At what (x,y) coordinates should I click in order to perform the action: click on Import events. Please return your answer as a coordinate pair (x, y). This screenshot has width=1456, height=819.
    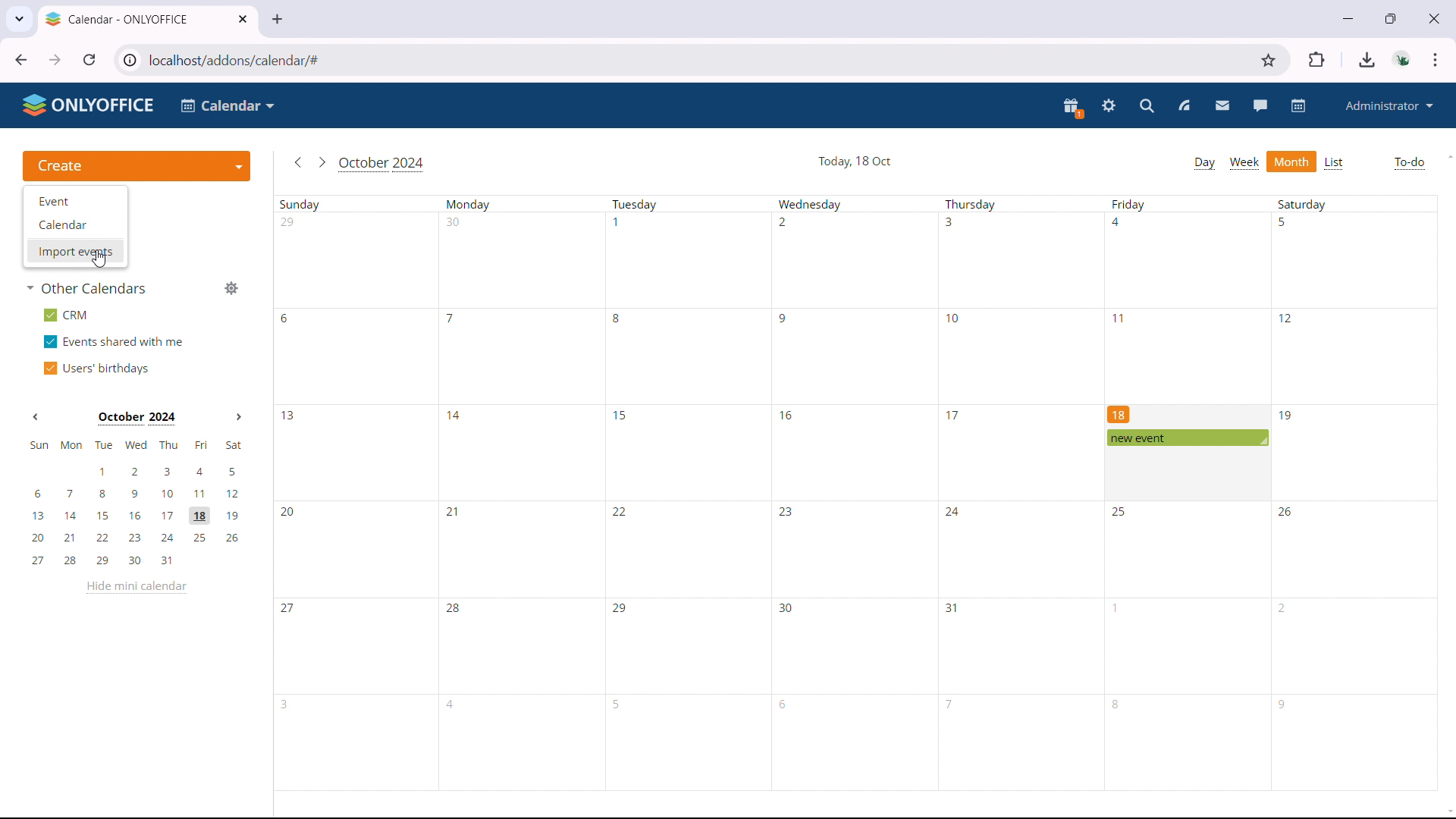
    Looking at the image, I should click on (77, 251).